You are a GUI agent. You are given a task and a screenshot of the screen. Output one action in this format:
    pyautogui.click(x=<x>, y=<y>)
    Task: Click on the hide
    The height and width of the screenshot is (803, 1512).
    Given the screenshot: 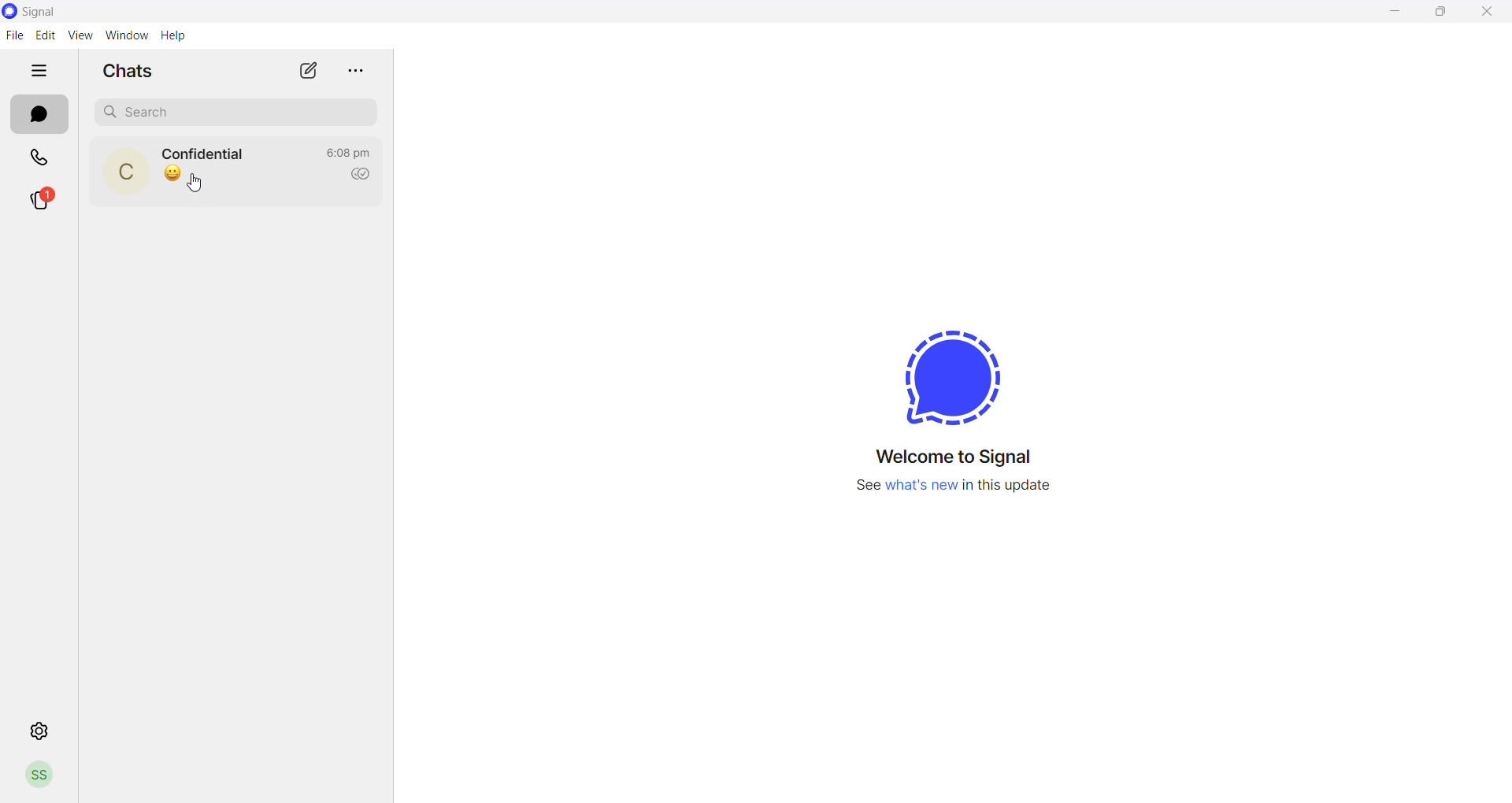 What is the action you would take?
    pyautogui.click(x=41, y=71)
    